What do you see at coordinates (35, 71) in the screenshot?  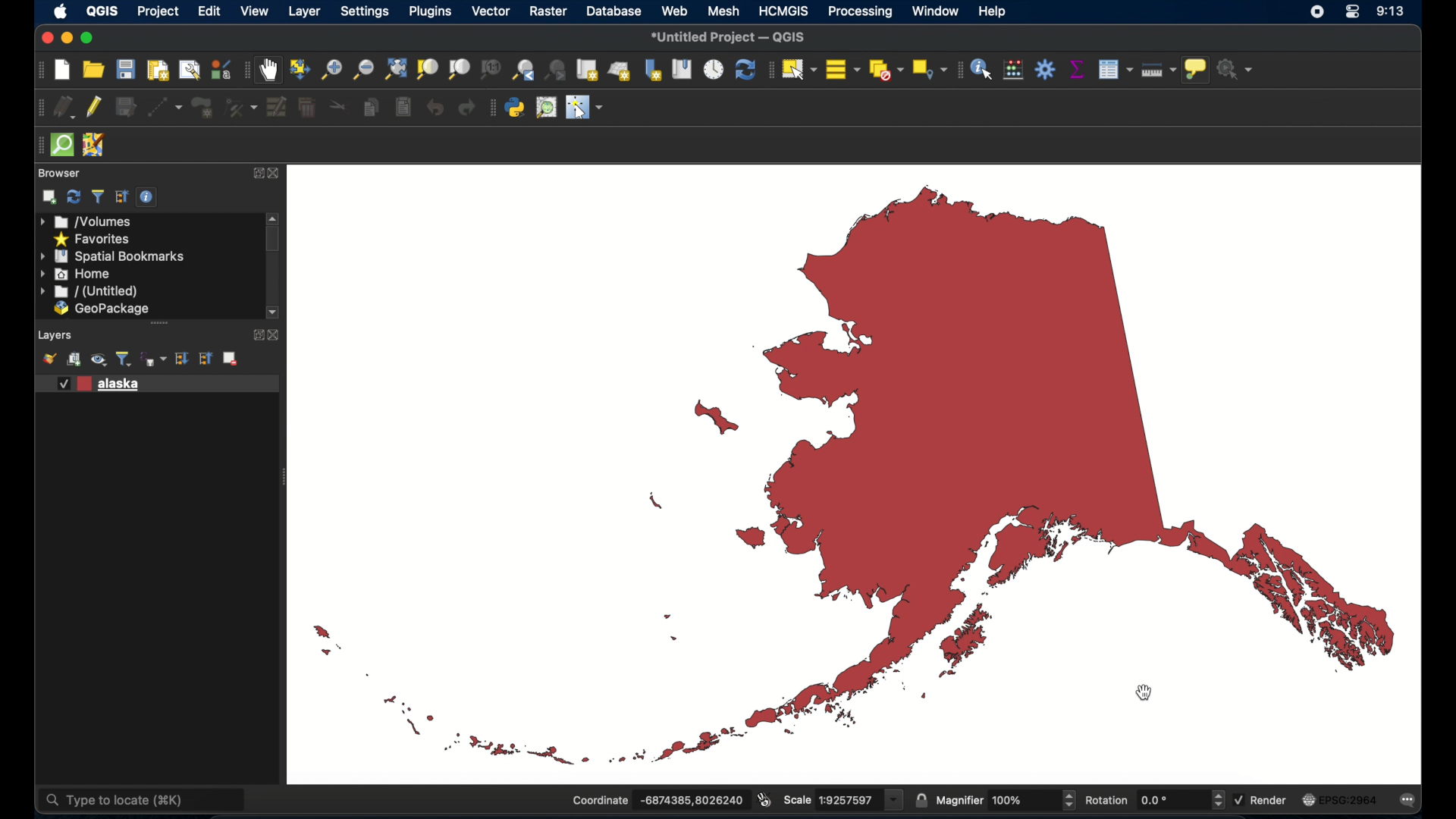 I see `project toolbar` at bounding box center [35, 71].